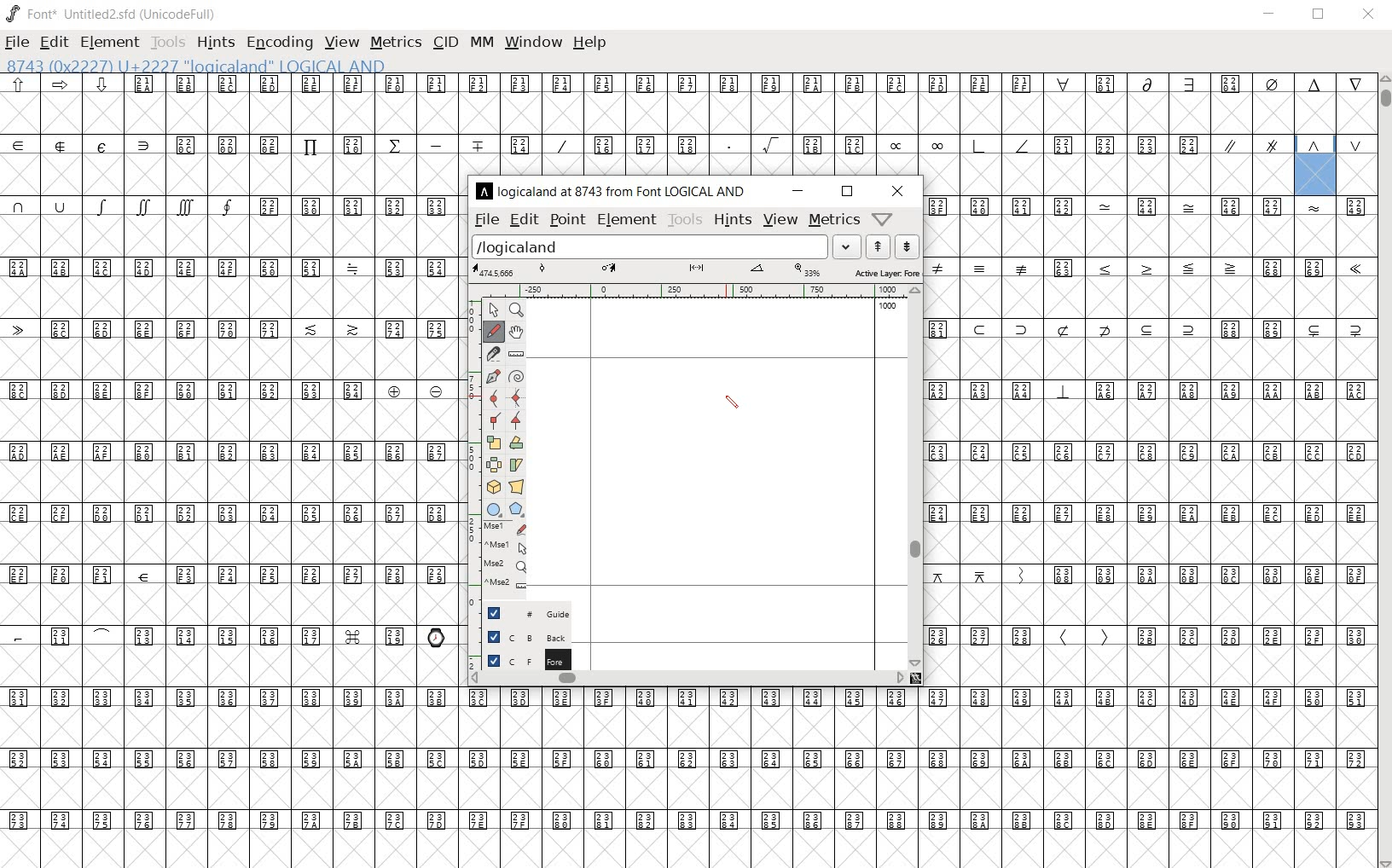  What do you see at coordinates (53, 42) in the screenshot?
I see `edit` at bounding box center [53, 42].